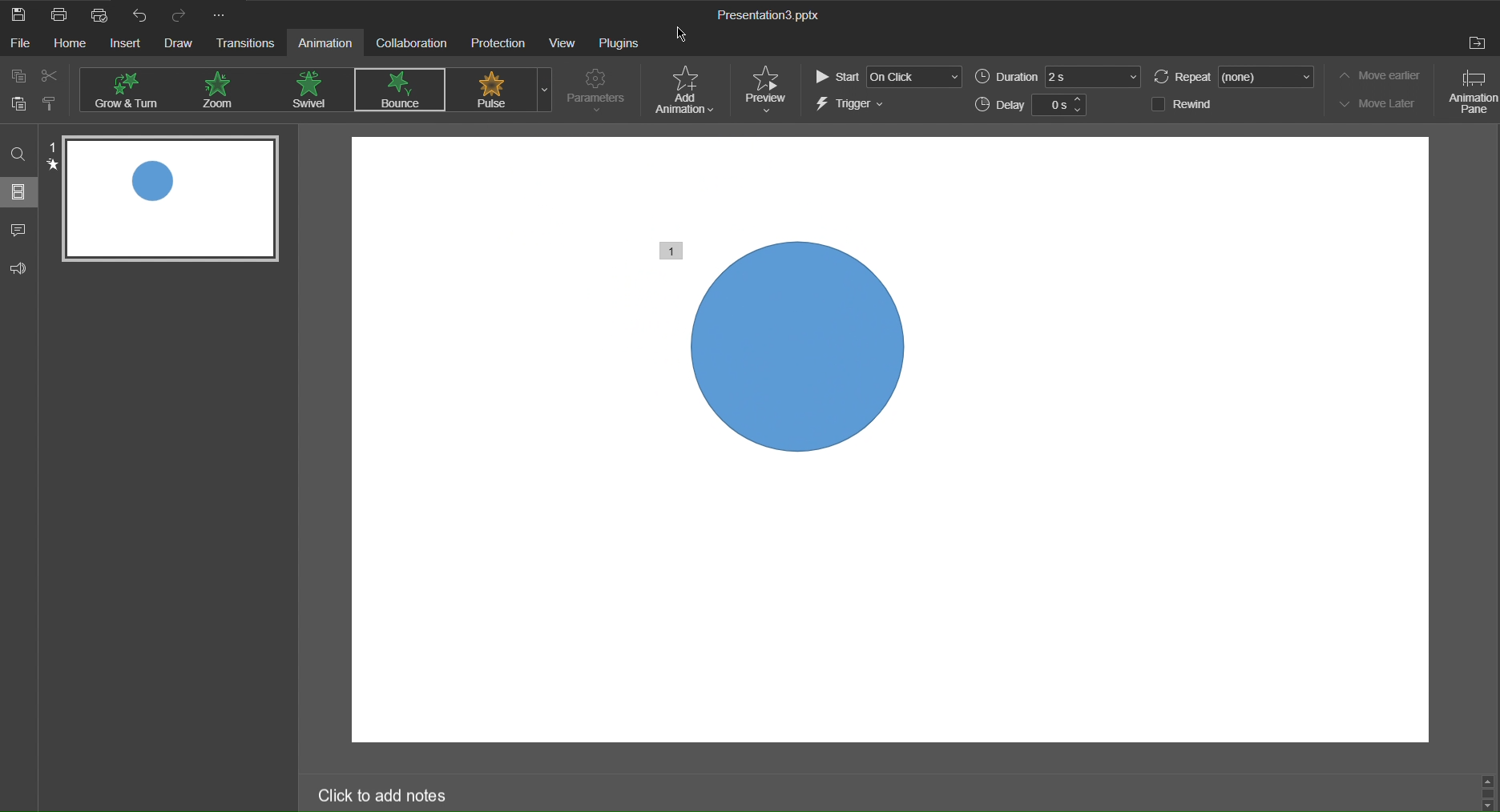  I want to click on Cursor, so click(687, 34).